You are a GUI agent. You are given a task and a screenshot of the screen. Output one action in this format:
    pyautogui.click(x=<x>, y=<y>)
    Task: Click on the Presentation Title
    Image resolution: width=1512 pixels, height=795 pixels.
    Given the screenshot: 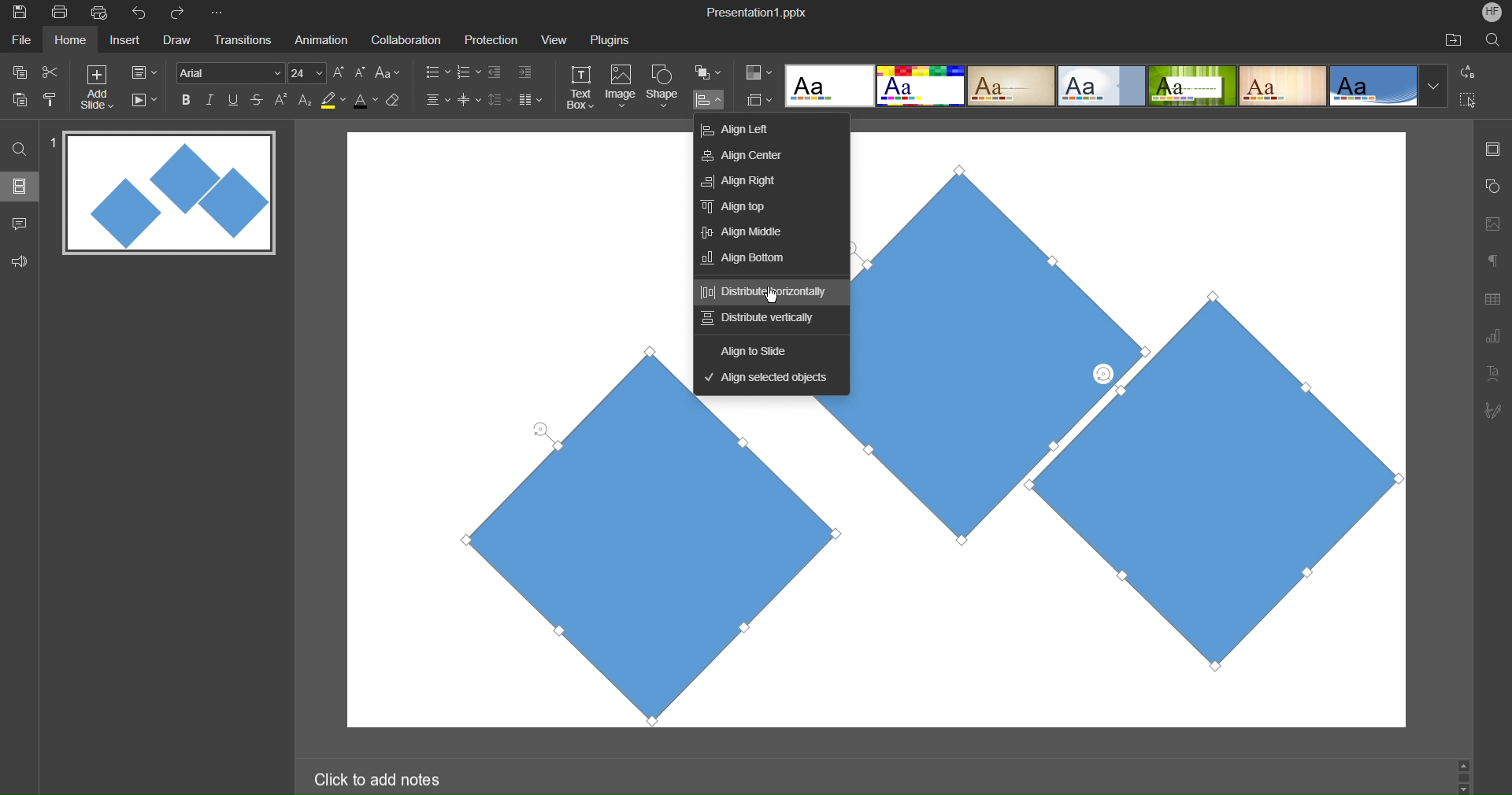 What is the action you would take?
    pyautogui.click(x=759, y=11)
    